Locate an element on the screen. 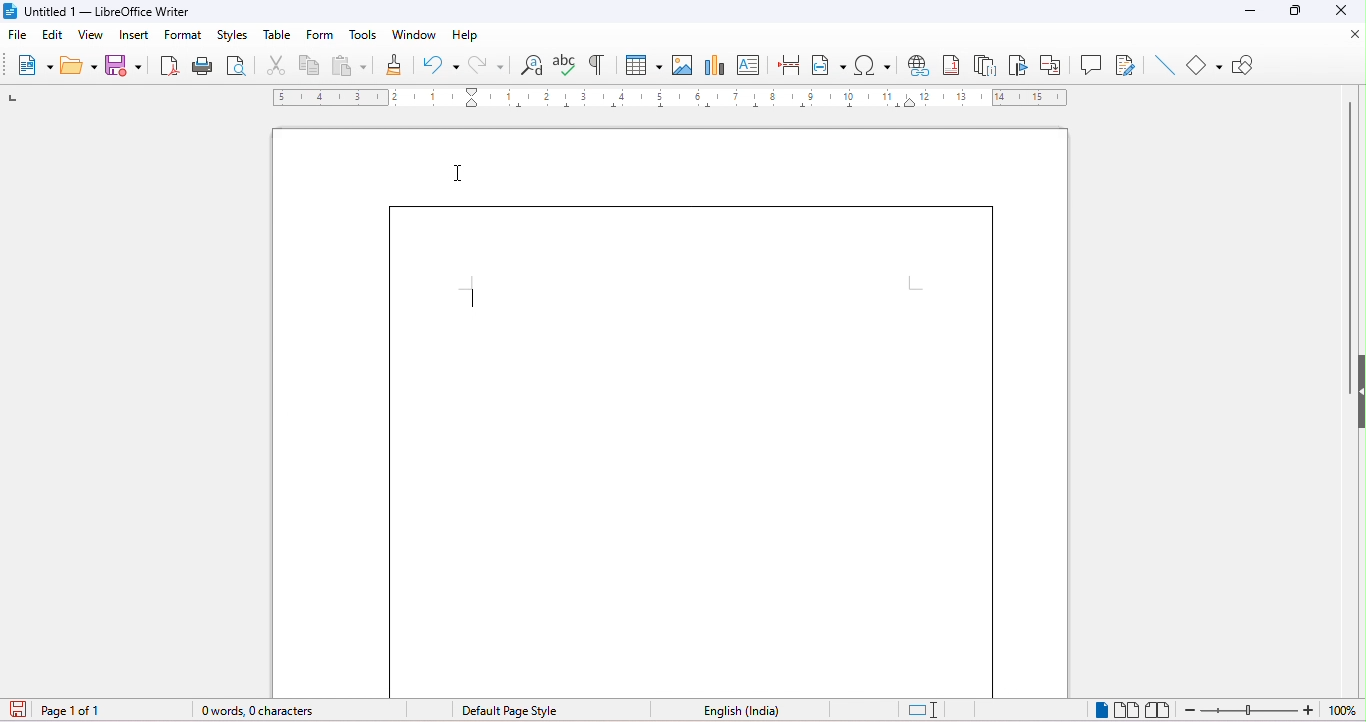 The width and height of the screenshot is (1366, 722). close is located at coordinates (1346, 11).